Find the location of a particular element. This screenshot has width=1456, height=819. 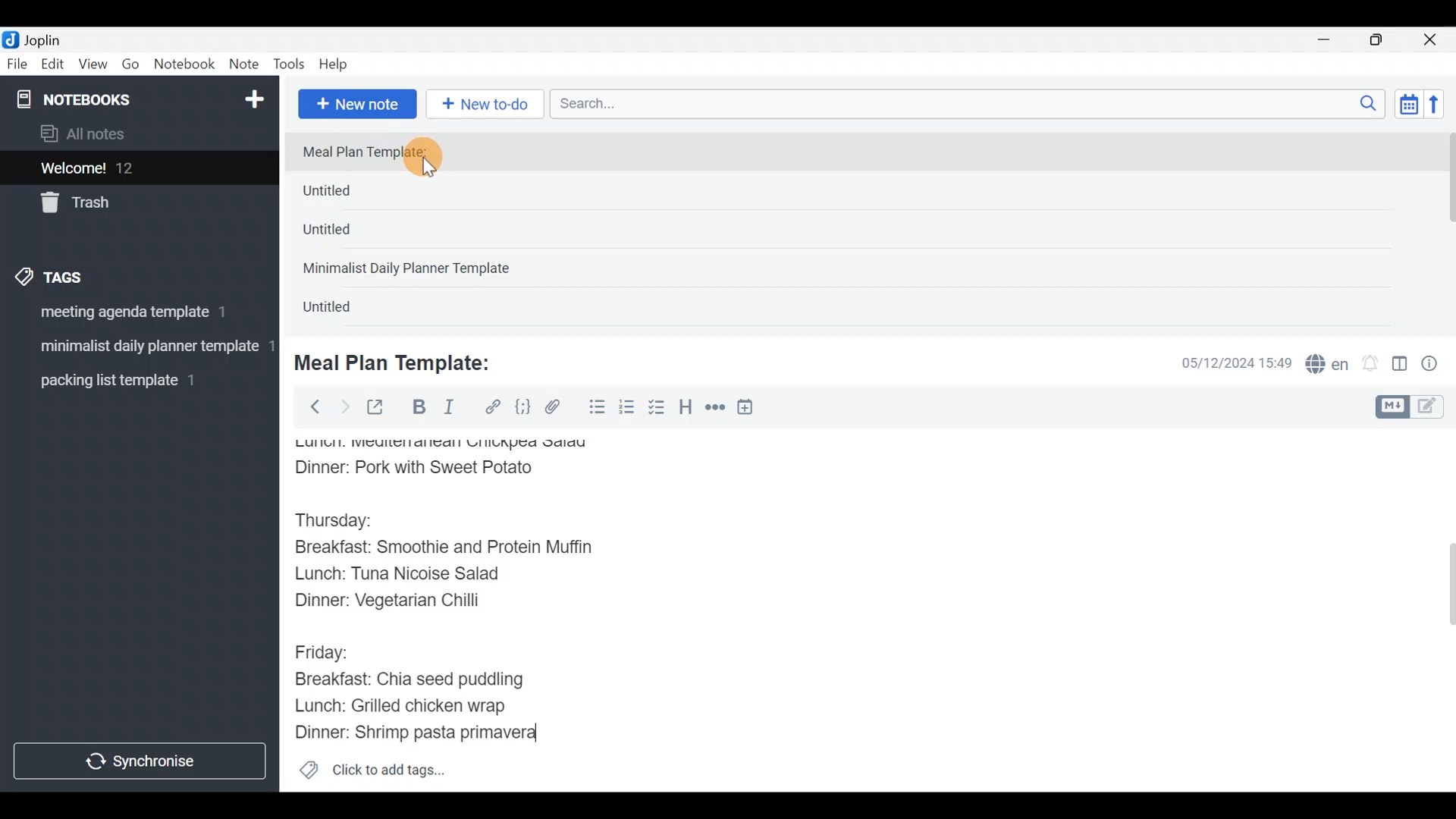

Go is located at coordinates (130, 67).